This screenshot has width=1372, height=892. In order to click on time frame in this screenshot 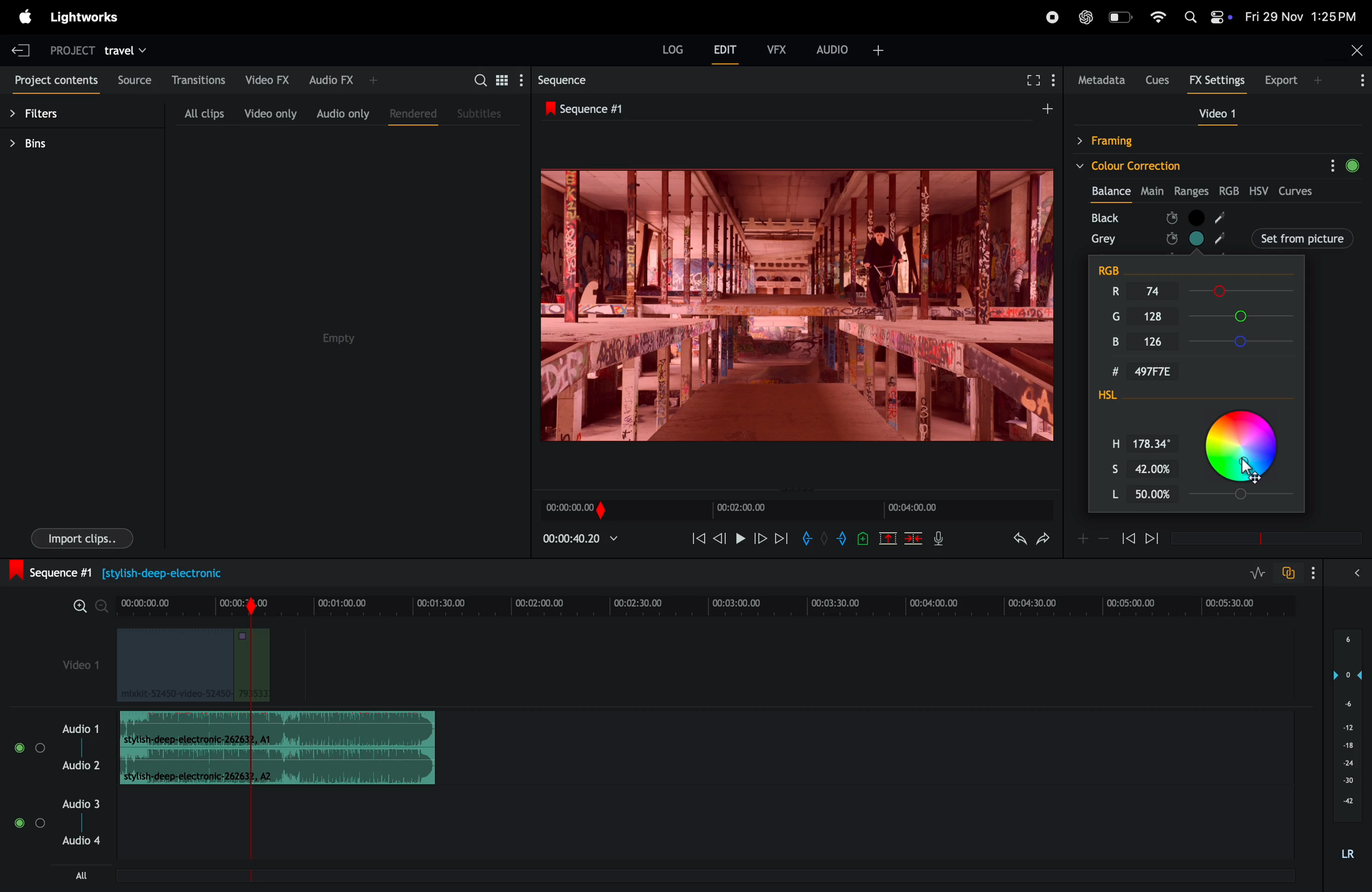, I will do `click(794, 511)`.